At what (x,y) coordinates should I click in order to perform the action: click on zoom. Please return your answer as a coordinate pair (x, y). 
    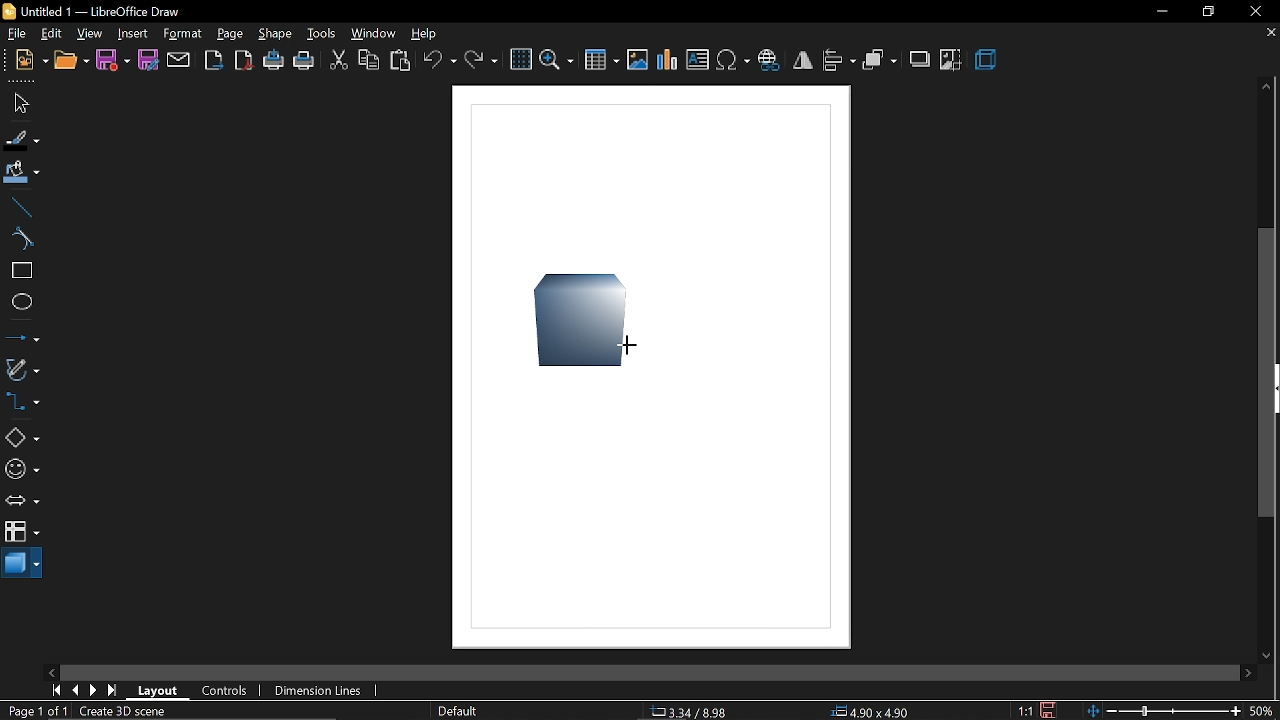
    Looking at the image, I should click on (556, 61).